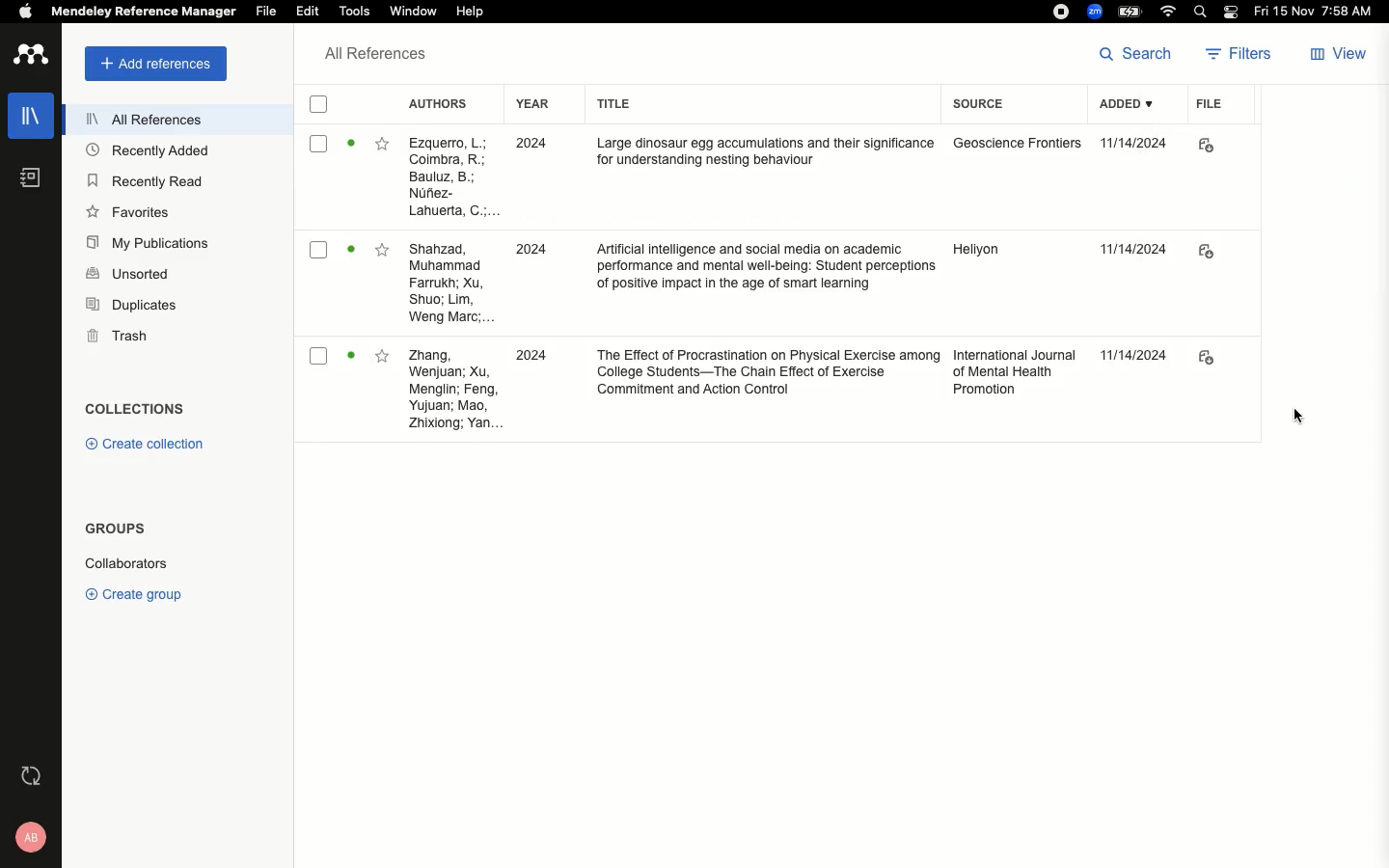  I want to click on Search, so click(1197, 12).